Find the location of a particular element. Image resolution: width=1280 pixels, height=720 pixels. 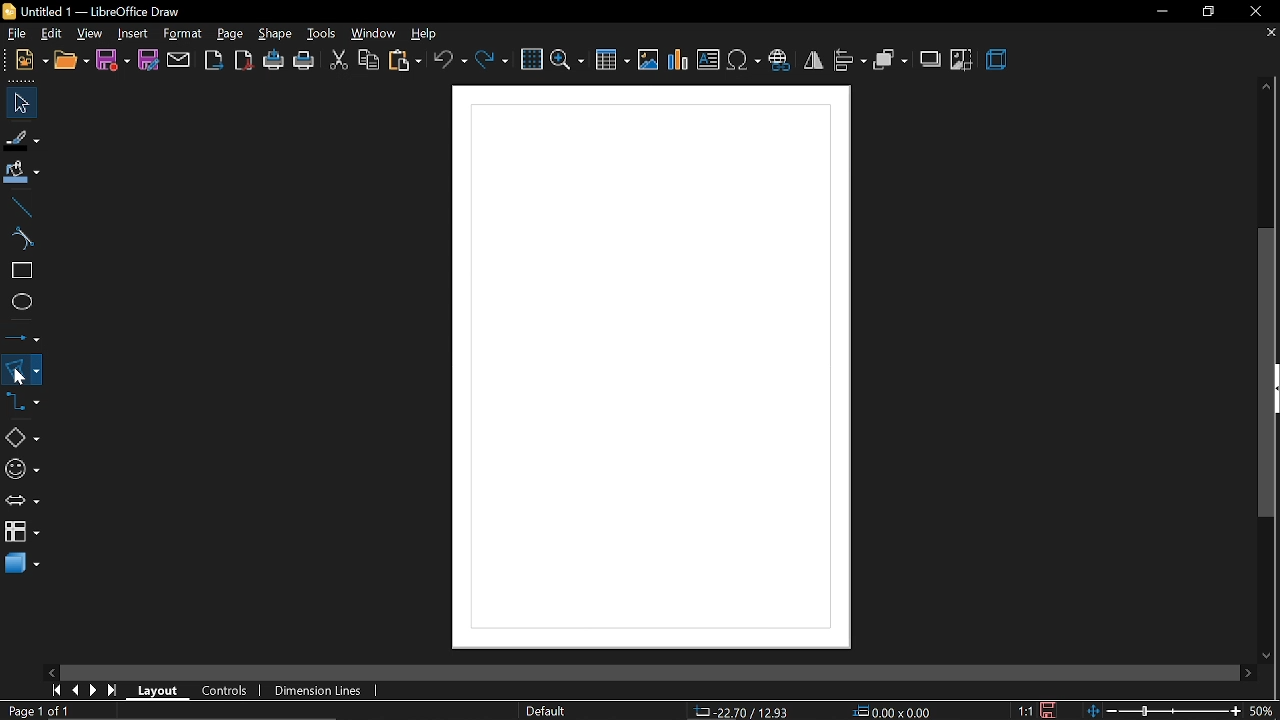

crop is located at coordinates (961, 60).